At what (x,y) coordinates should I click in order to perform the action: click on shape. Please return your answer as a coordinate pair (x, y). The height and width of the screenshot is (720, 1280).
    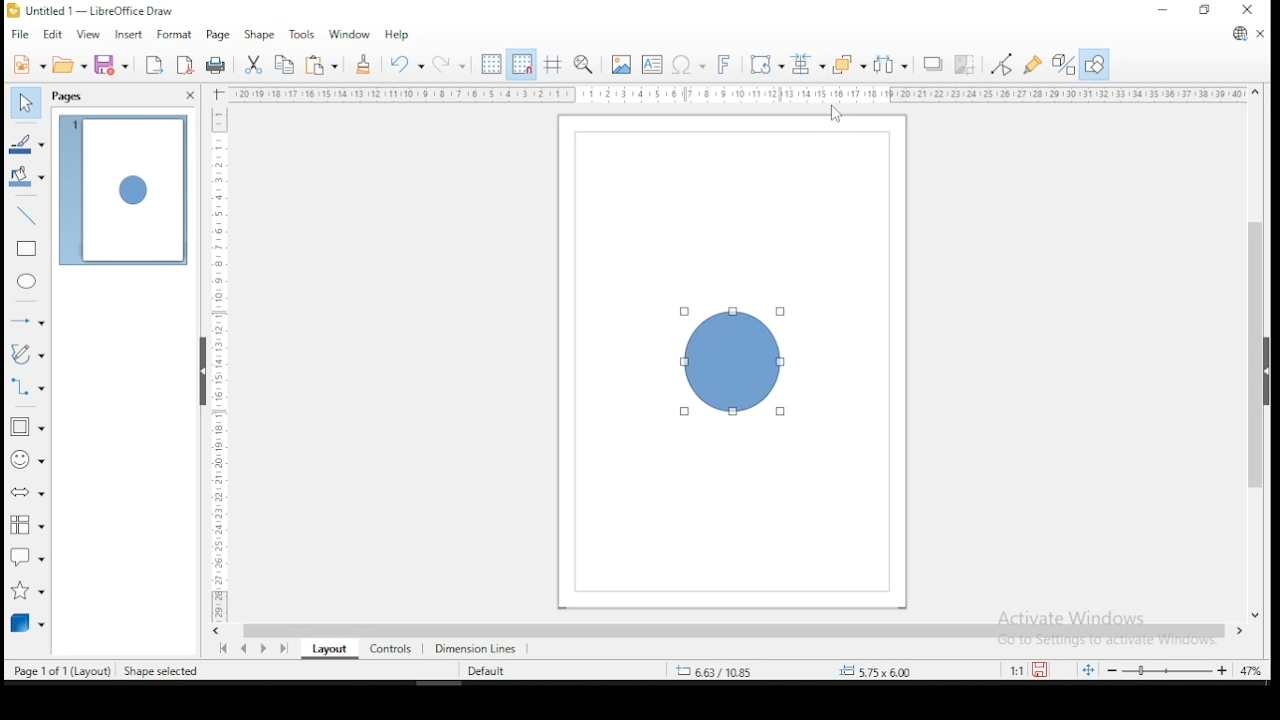
    Looking at the image, I should click on (728, 362).